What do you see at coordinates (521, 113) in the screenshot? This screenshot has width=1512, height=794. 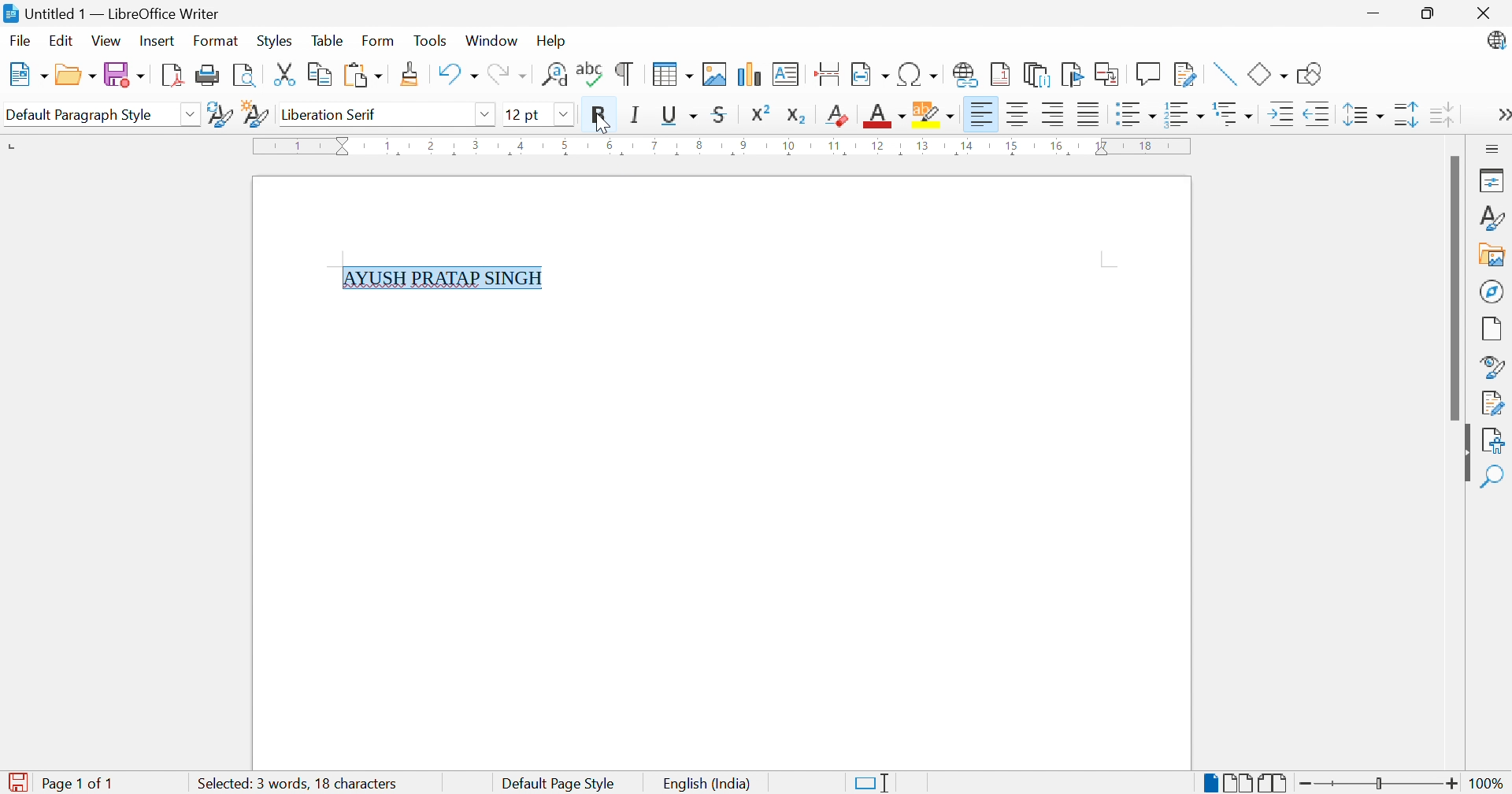 I see `12 pt` at bounding box center [521, 113].